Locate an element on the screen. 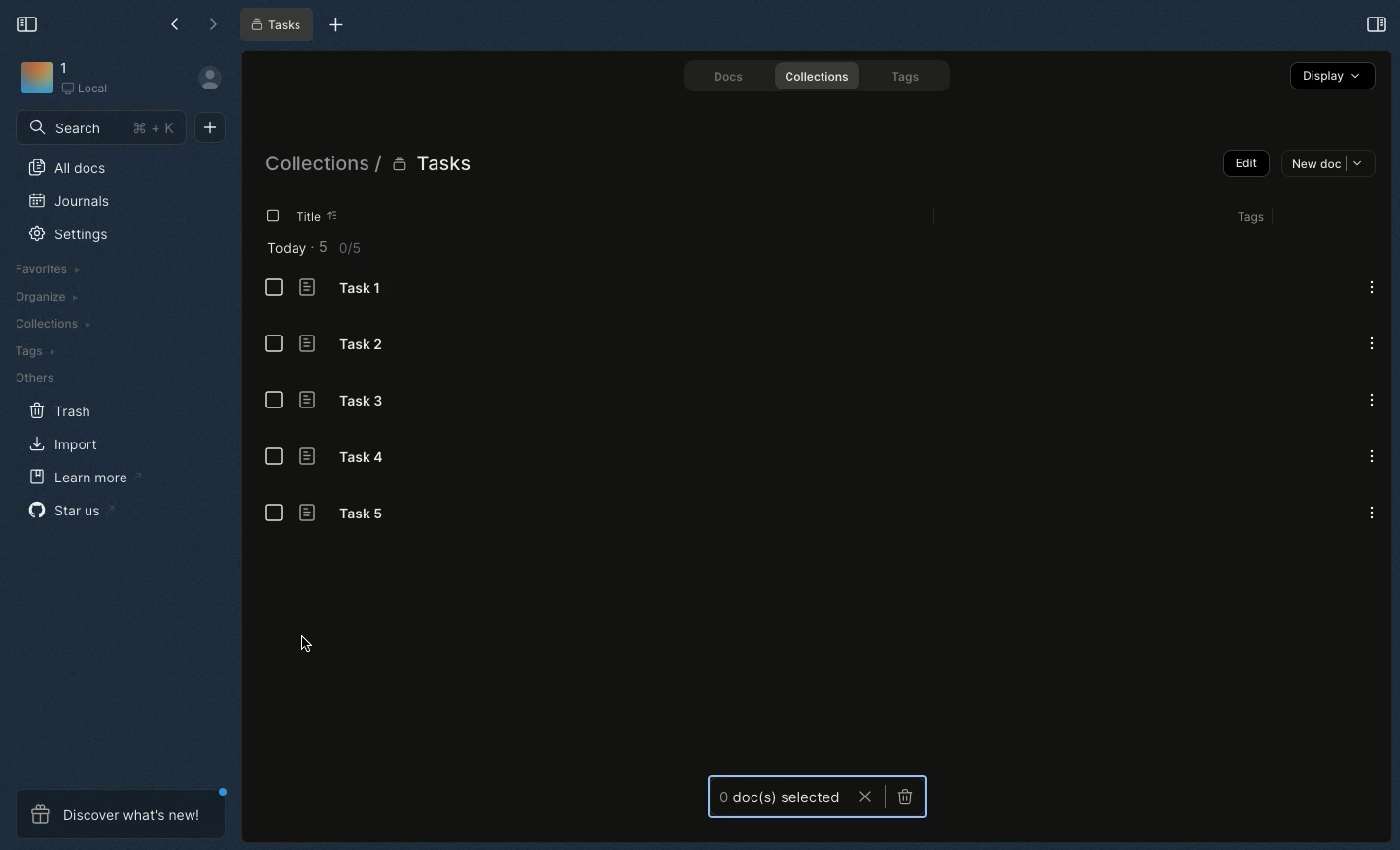 Image resolution: width=1400 pixels, height=850 pixels. Others is located at coordinates (37, 375).